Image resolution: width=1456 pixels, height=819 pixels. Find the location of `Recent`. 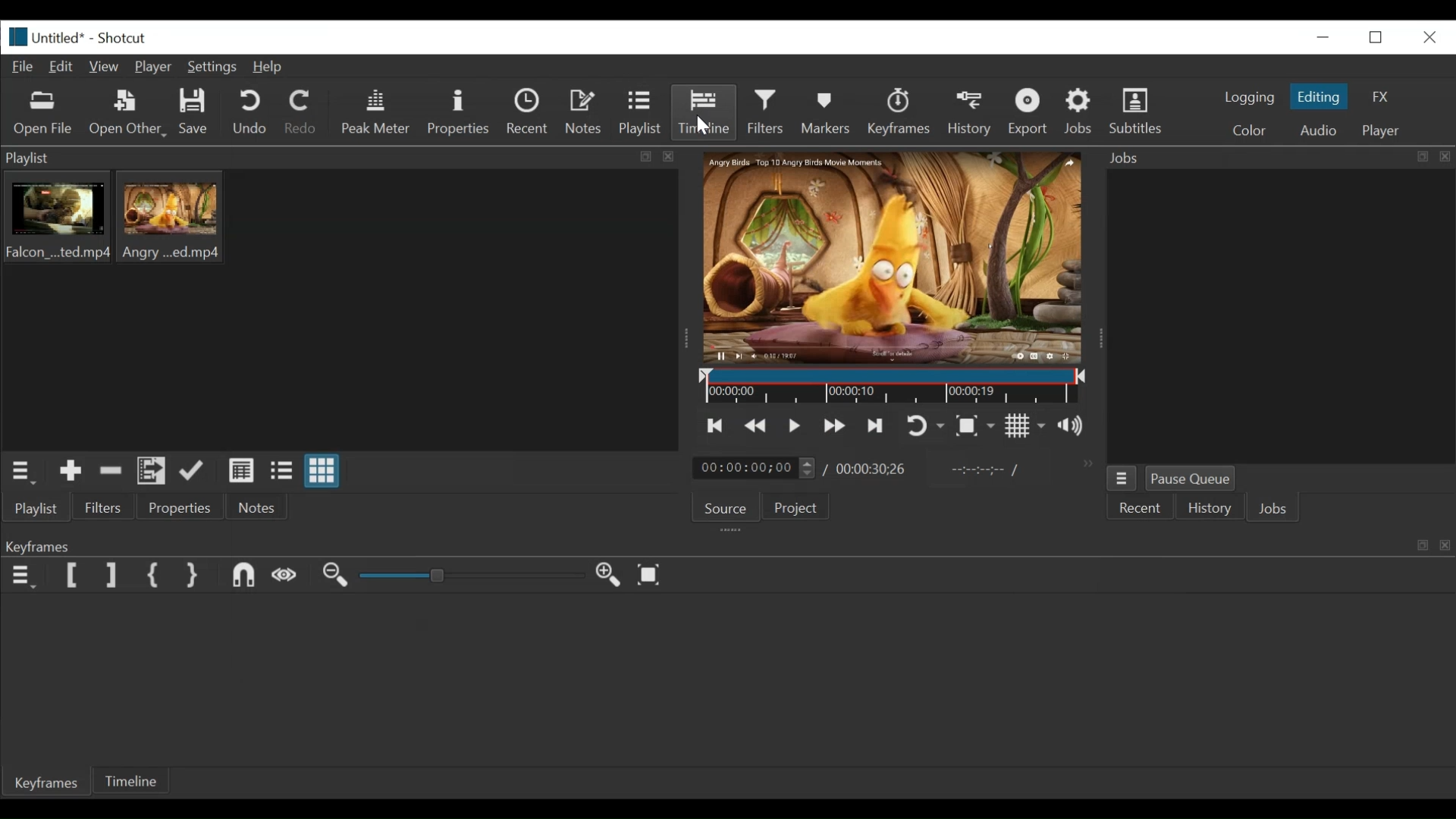

Recent is located at coordinates (1141, 509).